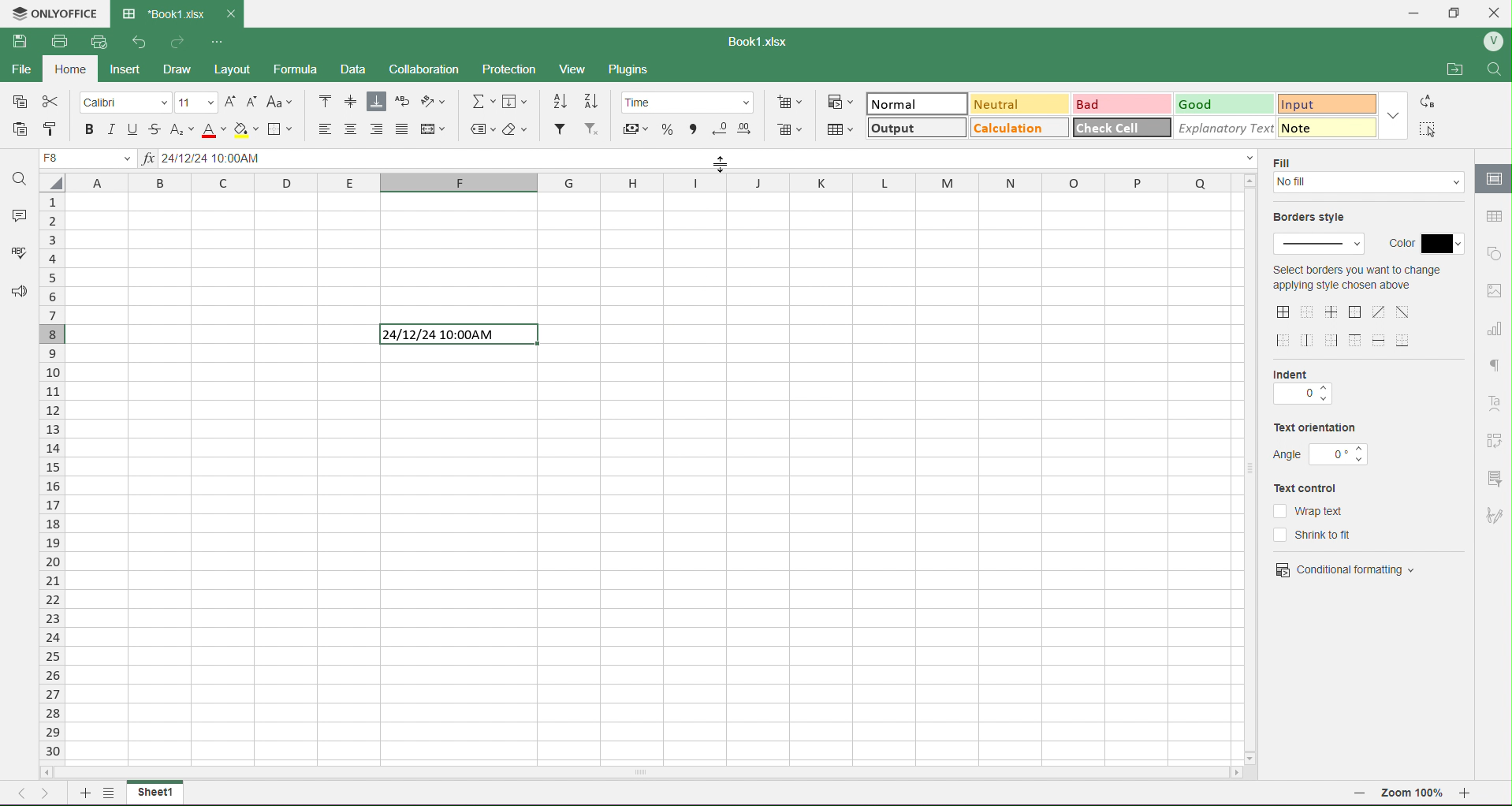 The height and width of the screenshot is (806, 1512). I want to click on cursor, so click(718, 165).